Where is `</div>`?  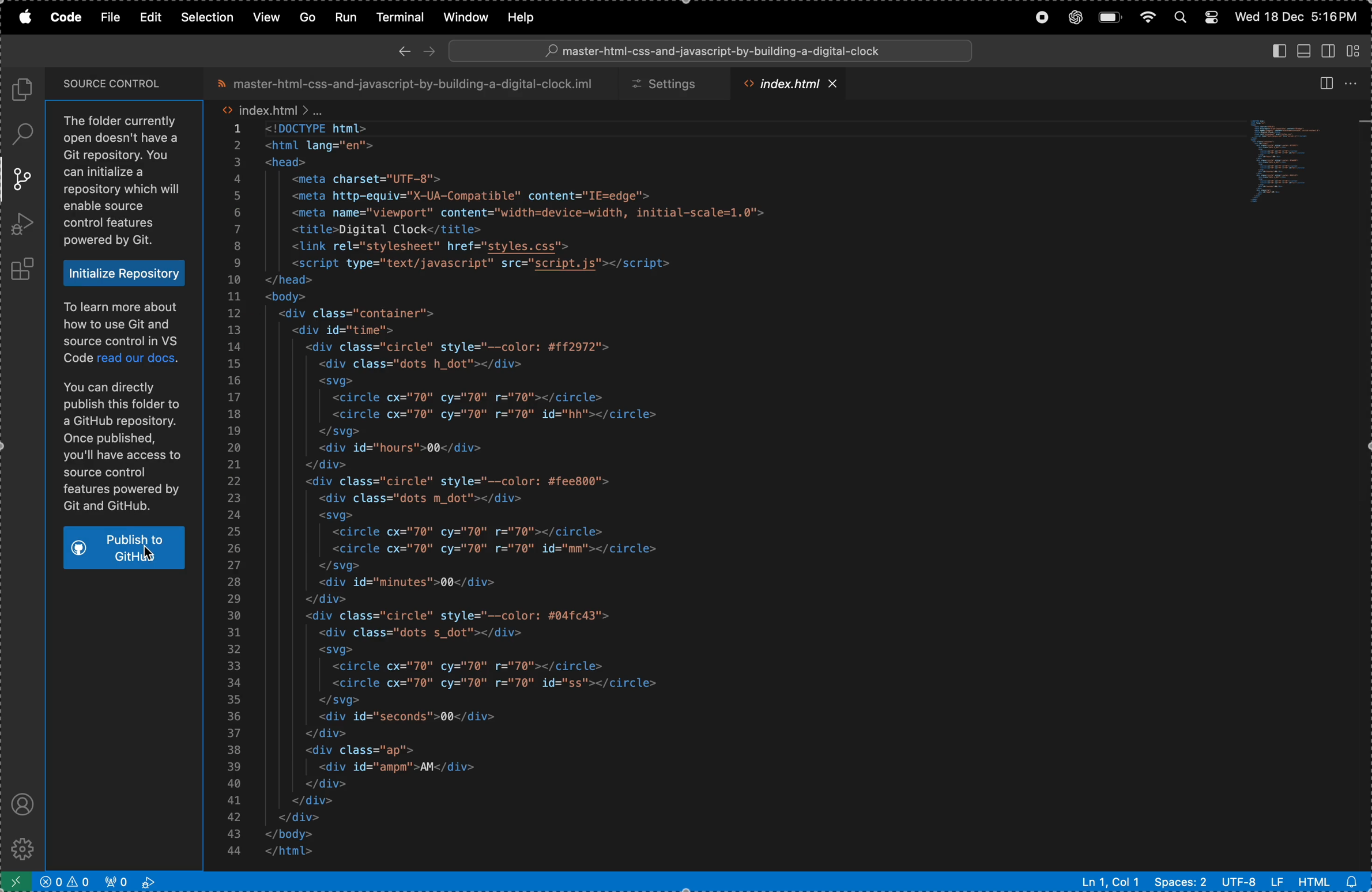
</div> is located at coordinates (338, 465).